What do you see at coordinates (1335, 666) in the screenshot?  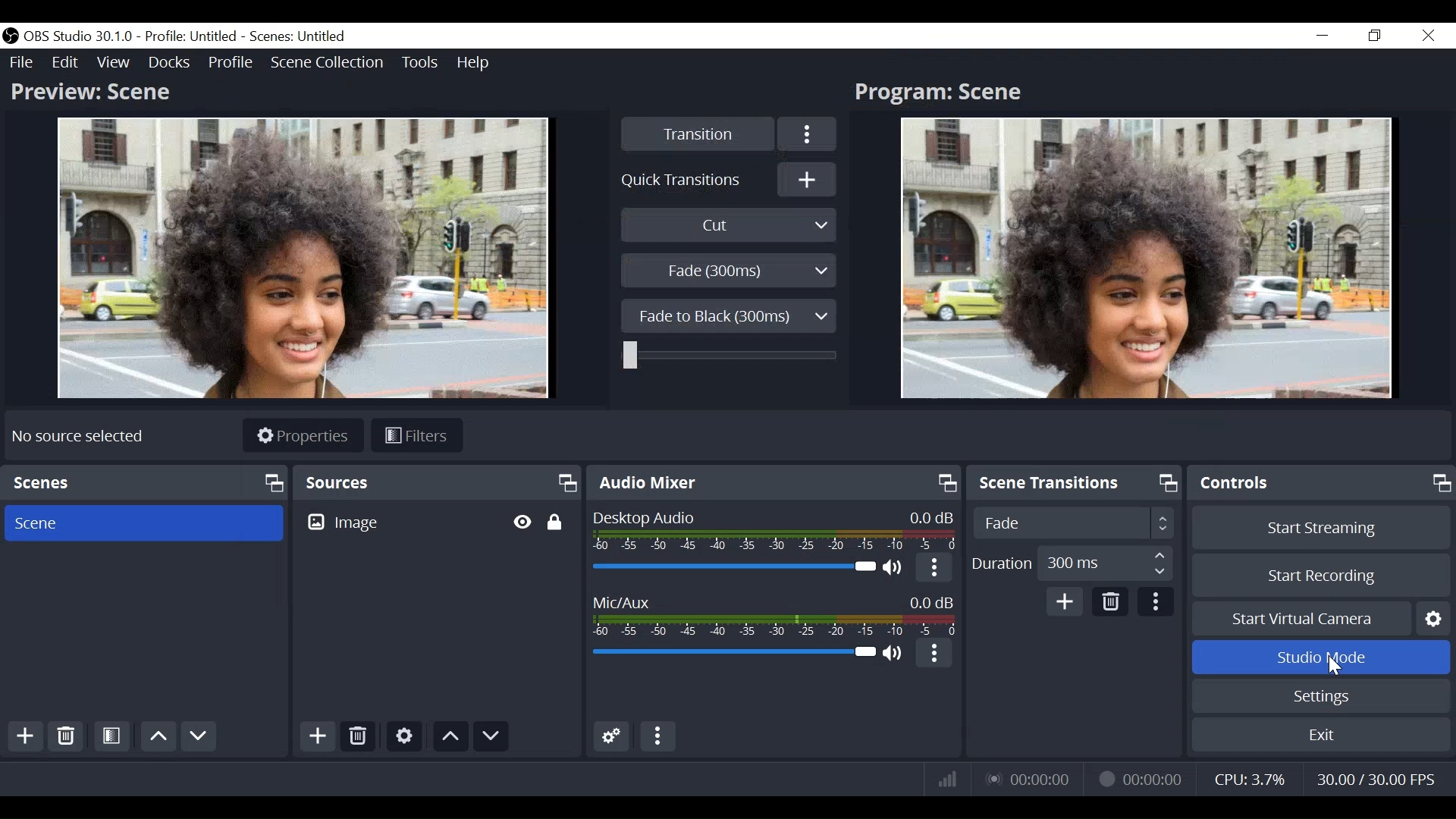 I see `Cursor` at bounding box center [1335, 666].